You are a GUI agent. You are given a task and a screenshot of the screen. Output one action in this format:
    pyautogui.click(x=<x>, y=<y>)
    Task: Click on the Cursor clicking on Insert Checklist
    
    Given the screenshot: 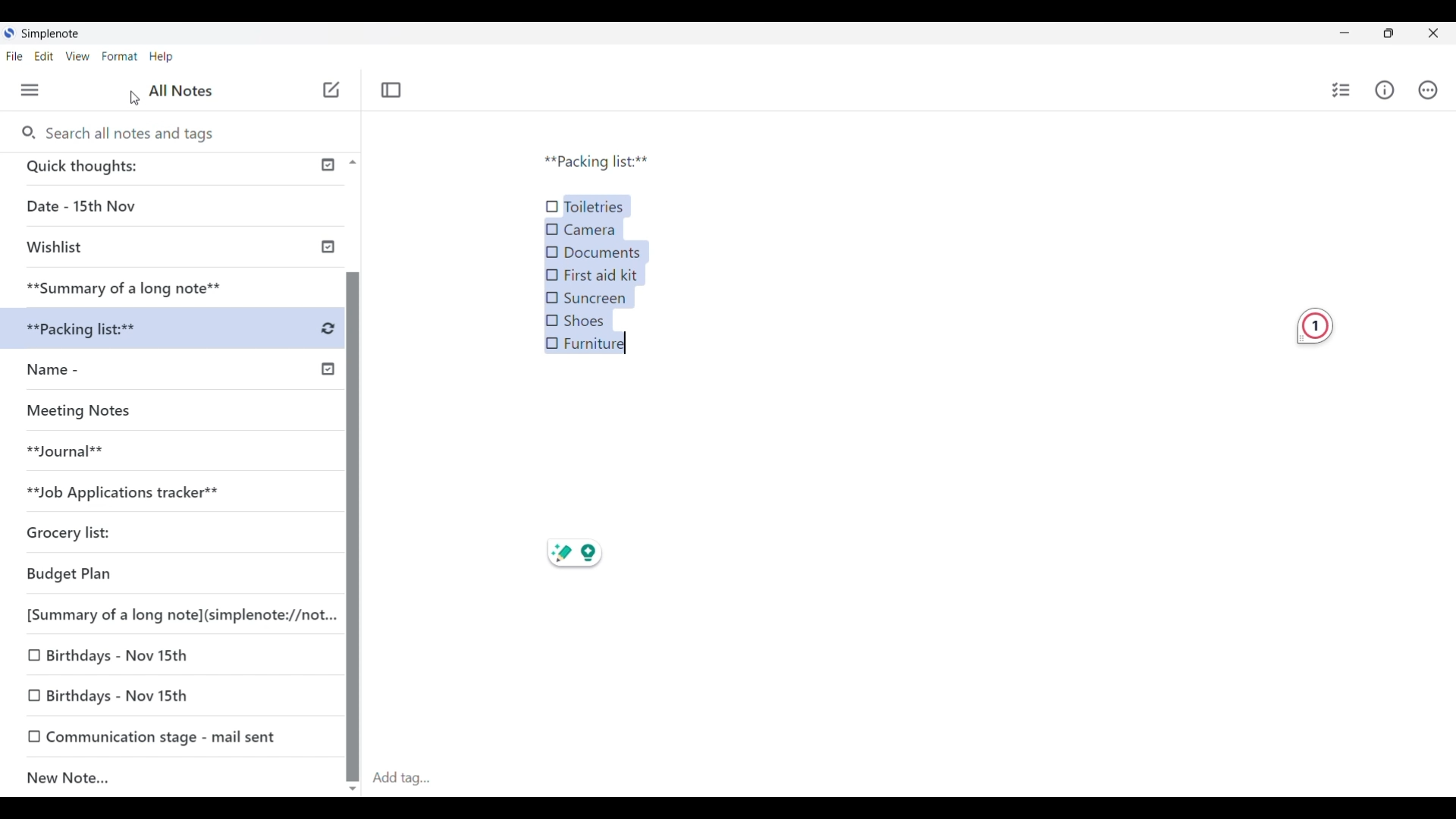 What is the action you would take?
    pyautogui.click(x=193, y=90)
    